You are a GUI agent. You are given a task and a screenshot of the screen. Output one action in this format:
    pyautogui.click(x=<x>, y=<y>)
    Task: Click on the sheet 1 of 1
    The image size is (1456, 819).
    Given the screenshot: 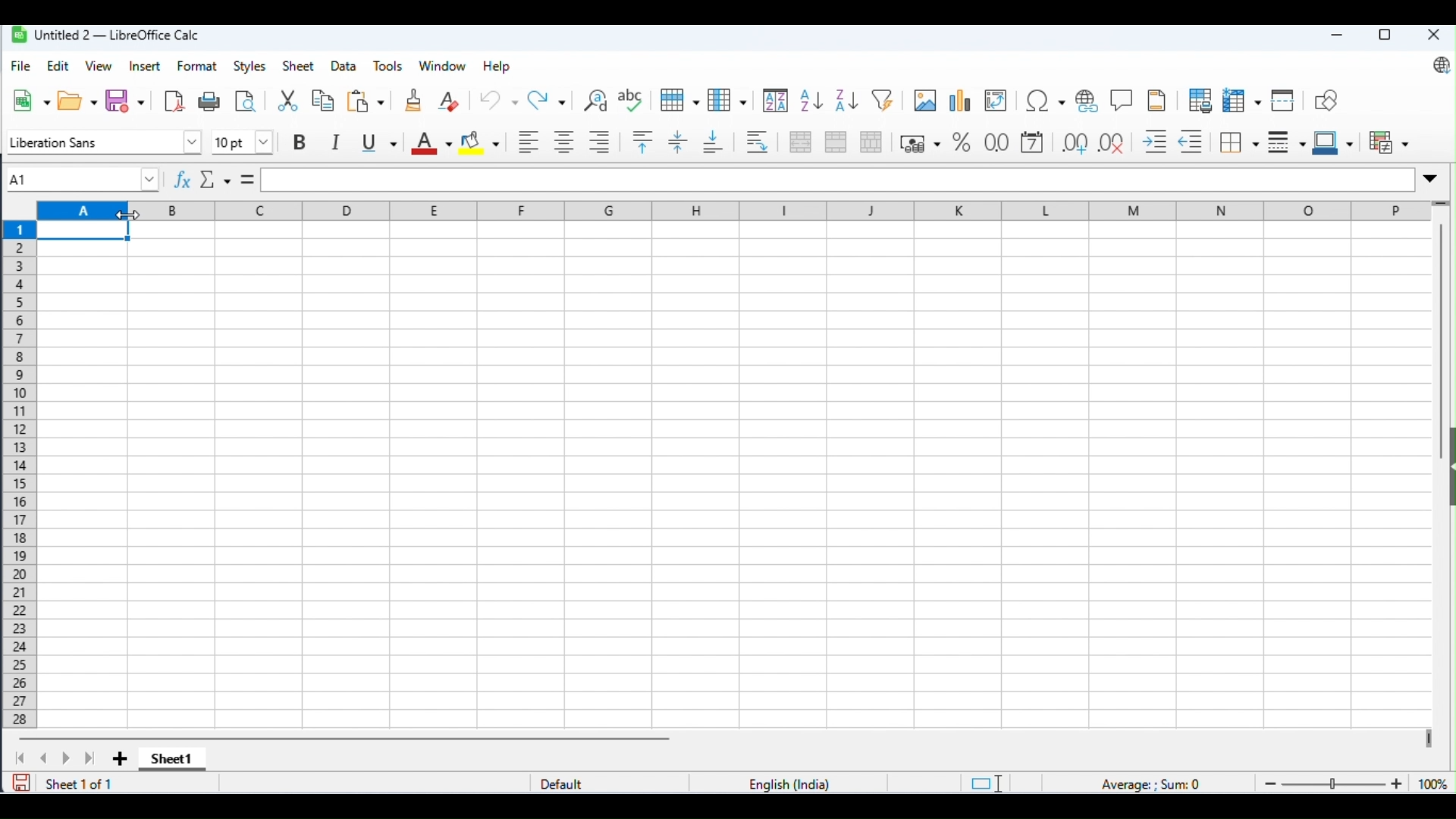 What is the action you would take?
    pyautogui.click(x=79, y=783)
    